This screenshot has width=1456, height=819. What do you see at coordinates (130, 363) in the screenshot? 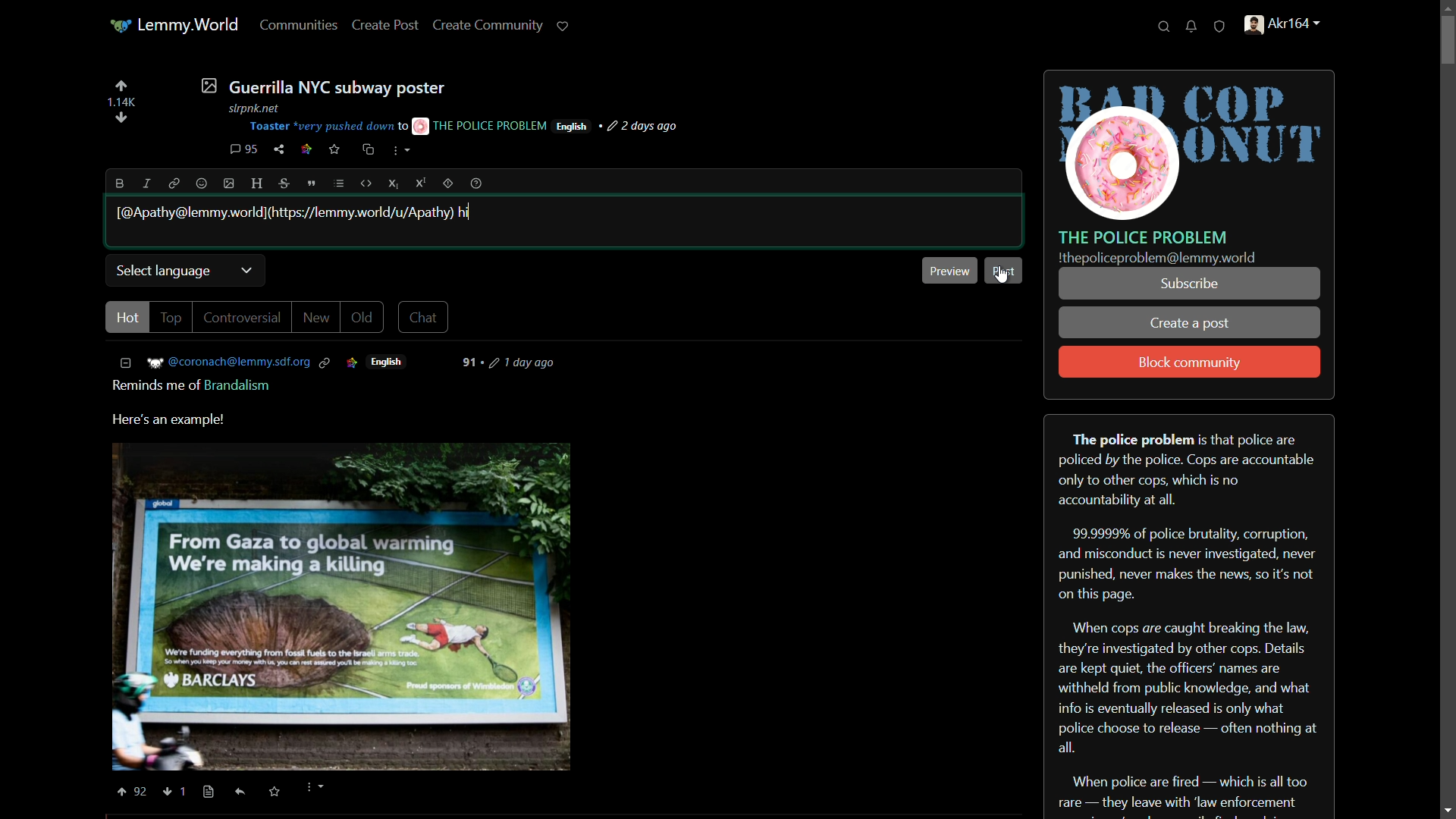
I see `COLLAPSE` at bounding box center [130, 363].